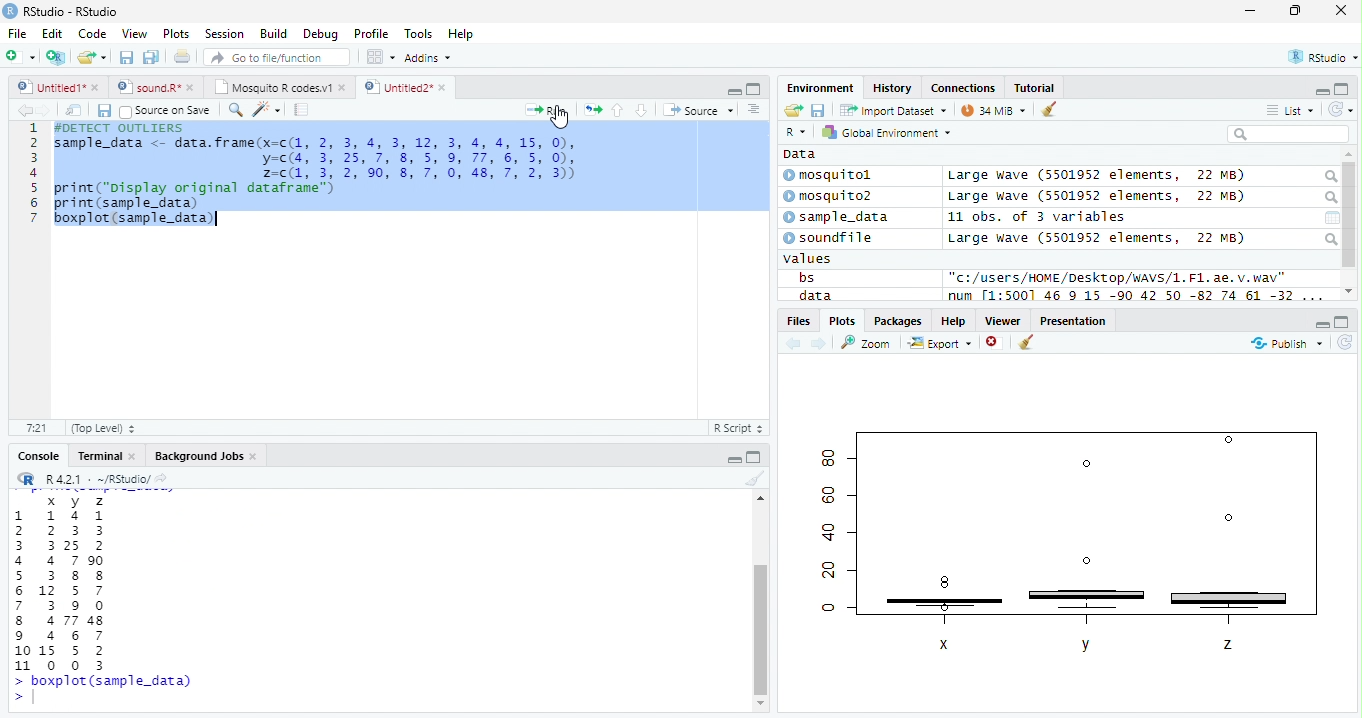 This screenshot has height=718, width=1362. What do you see at coordinates (739, 427) in the screenshot?
I see `R Script` at bounding box center [739, 427].